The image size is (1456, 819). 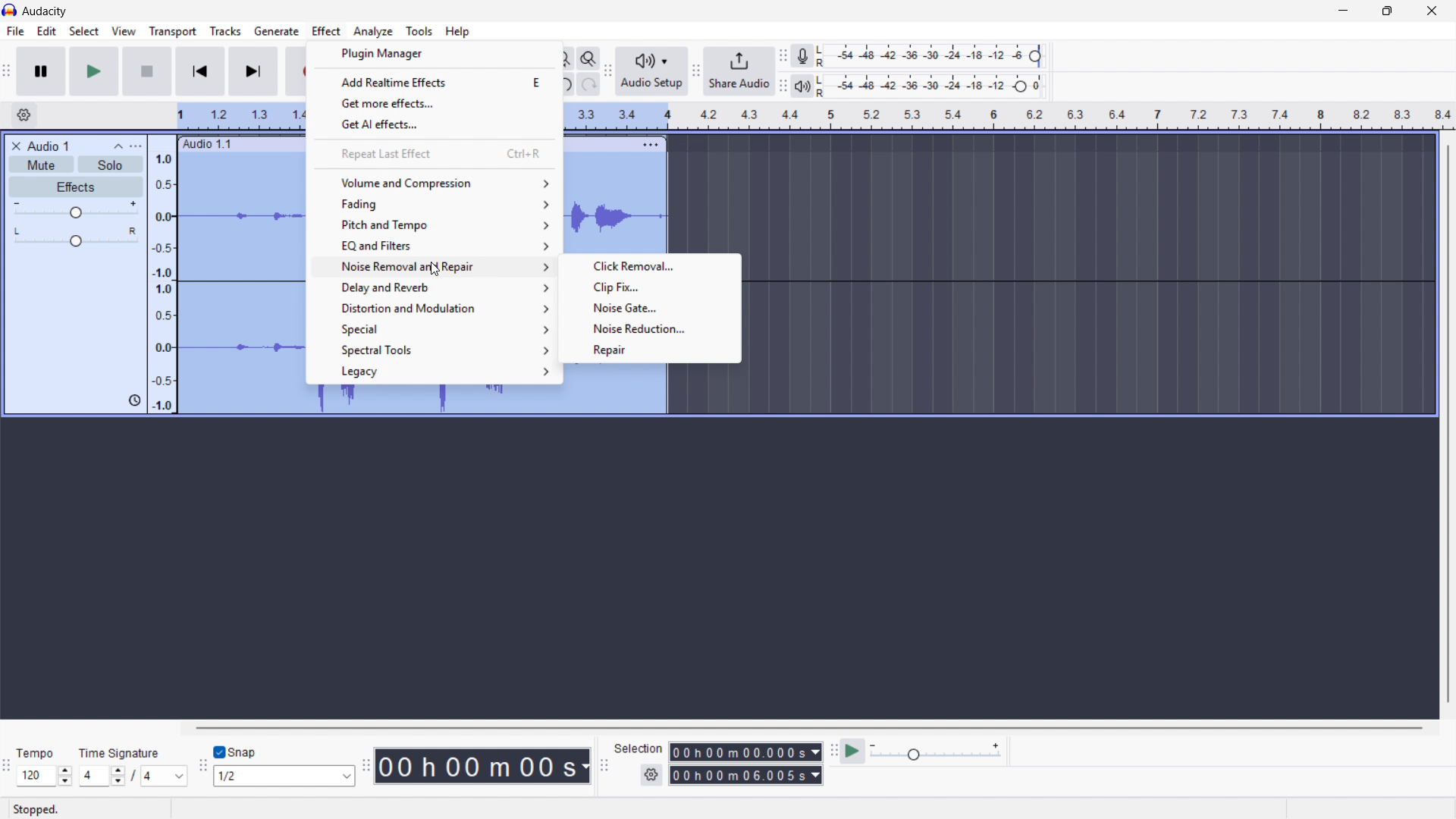 I want to click on Cursor, so click(x=425, y=268).